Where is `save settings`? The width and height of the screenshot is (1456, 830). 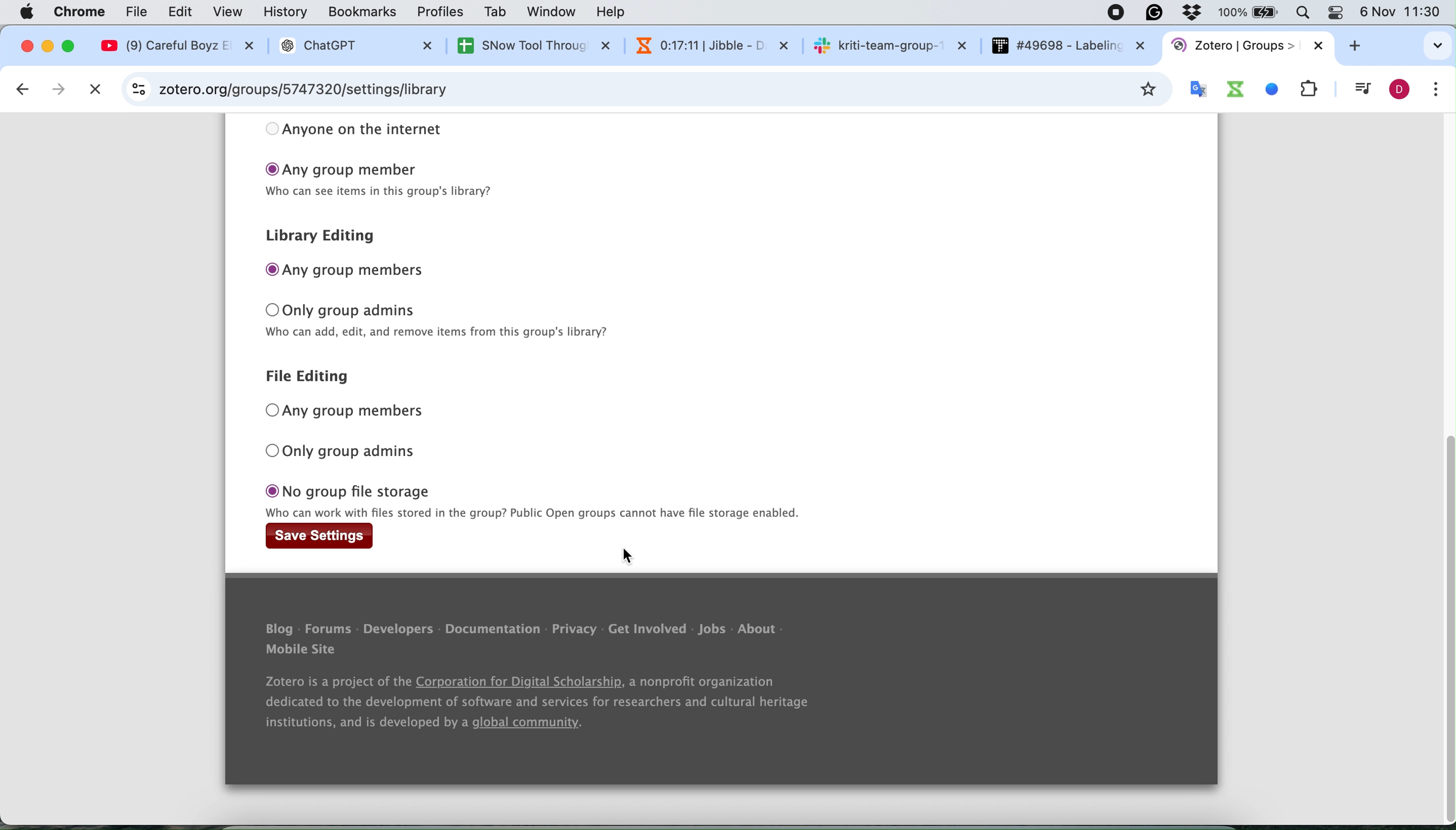 save settings is located at coordinates (325, 534).